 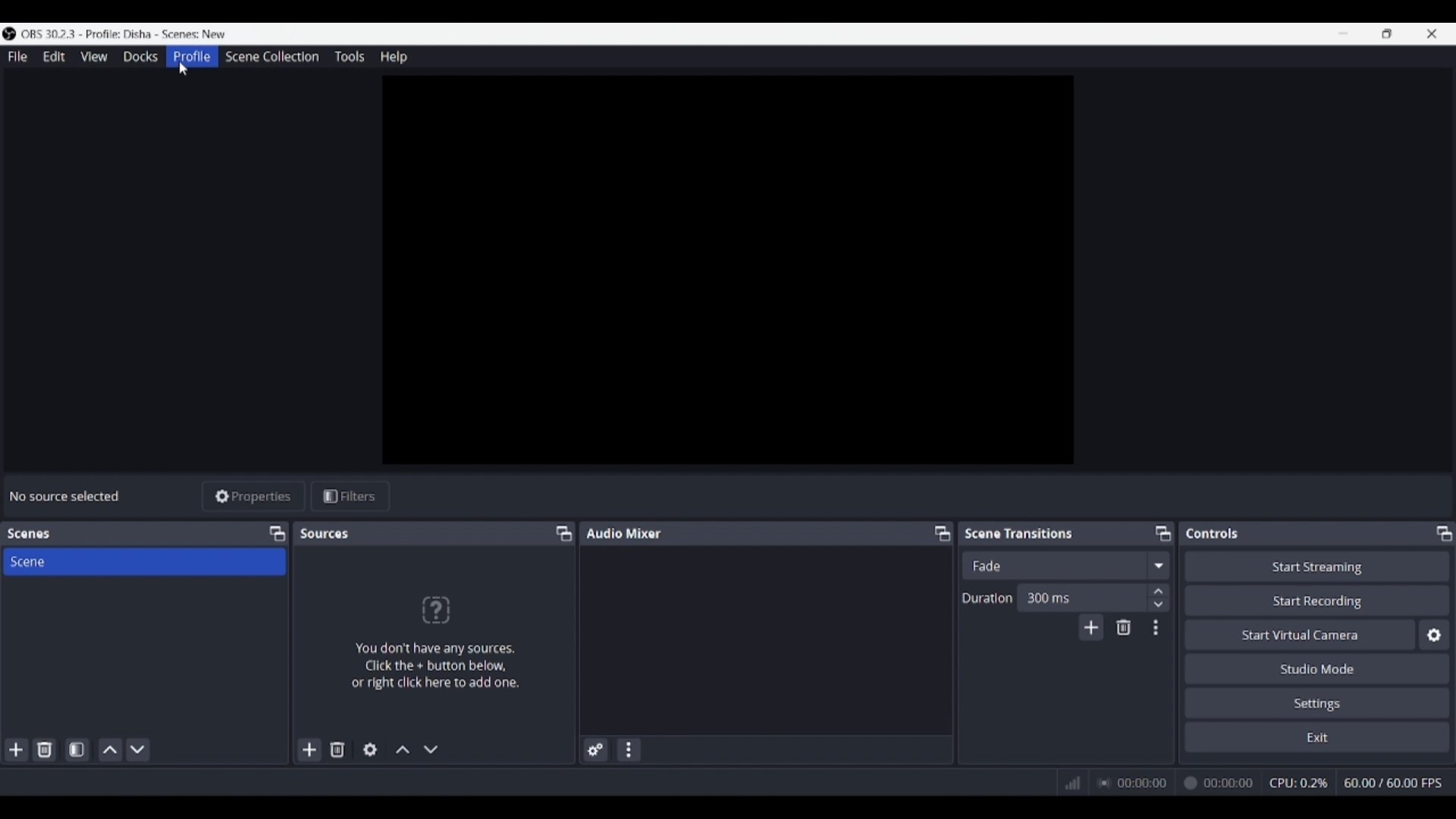 I want to click on Scene collection menu, so click(x=271, y=56).